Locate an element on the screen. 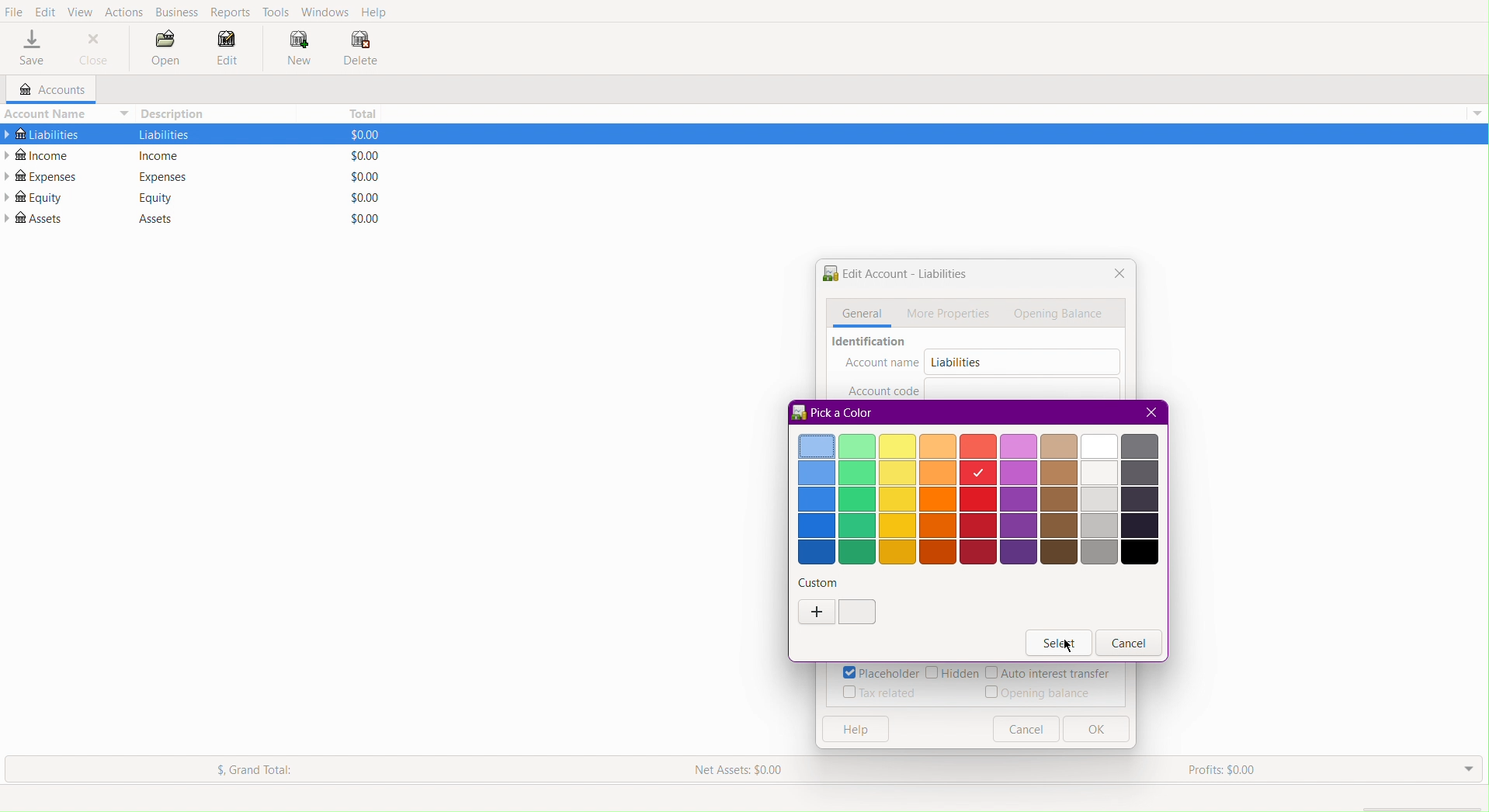  Expenses is located at coordinates (42, 176).